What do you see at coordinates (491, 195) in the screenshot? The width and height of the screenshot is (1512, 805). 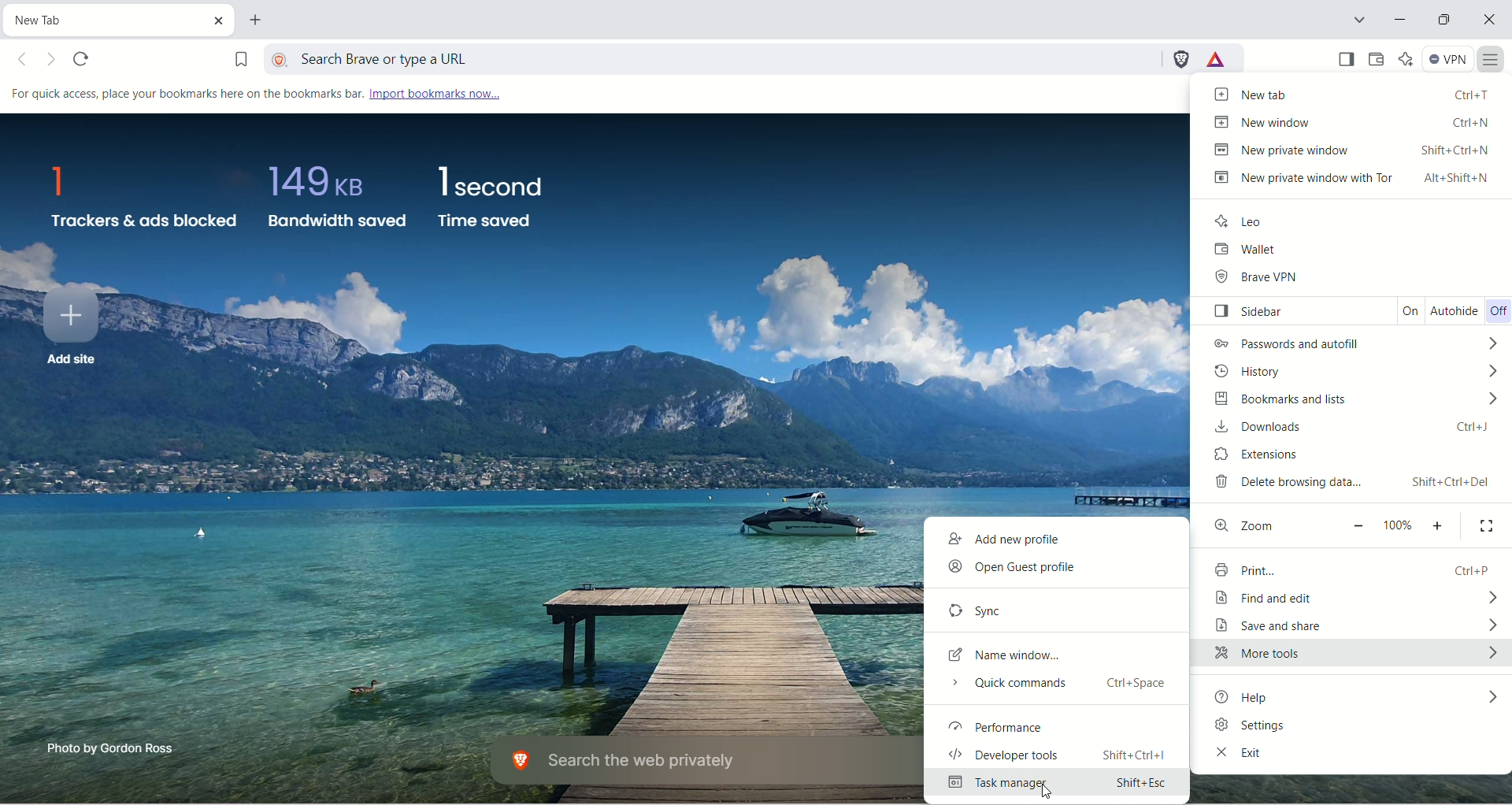 I see `time saved` at bounding box center [491, 195].